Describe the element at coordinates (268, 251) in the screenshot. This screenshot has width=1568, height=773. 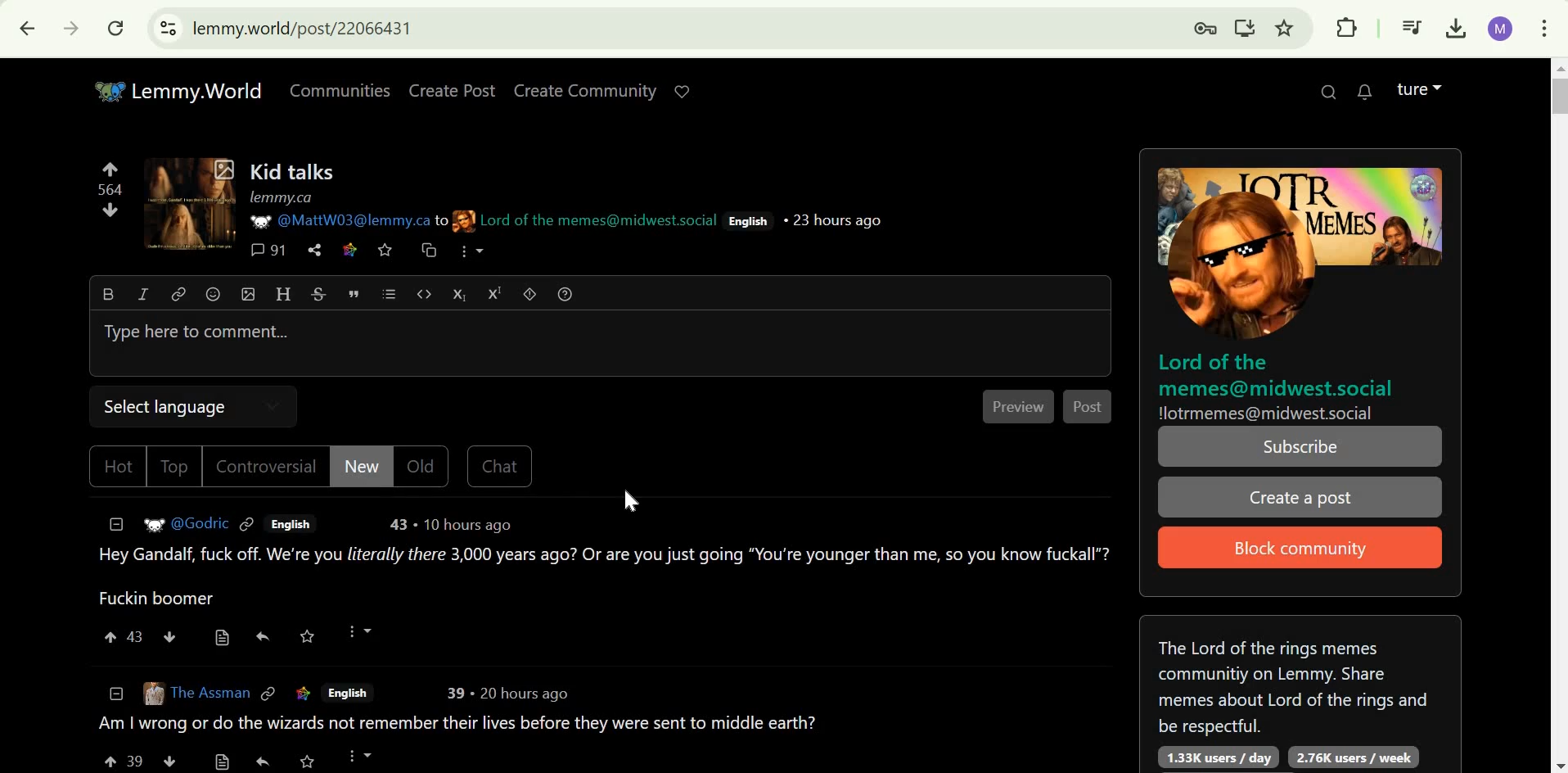
I see `91 comments` at that location.